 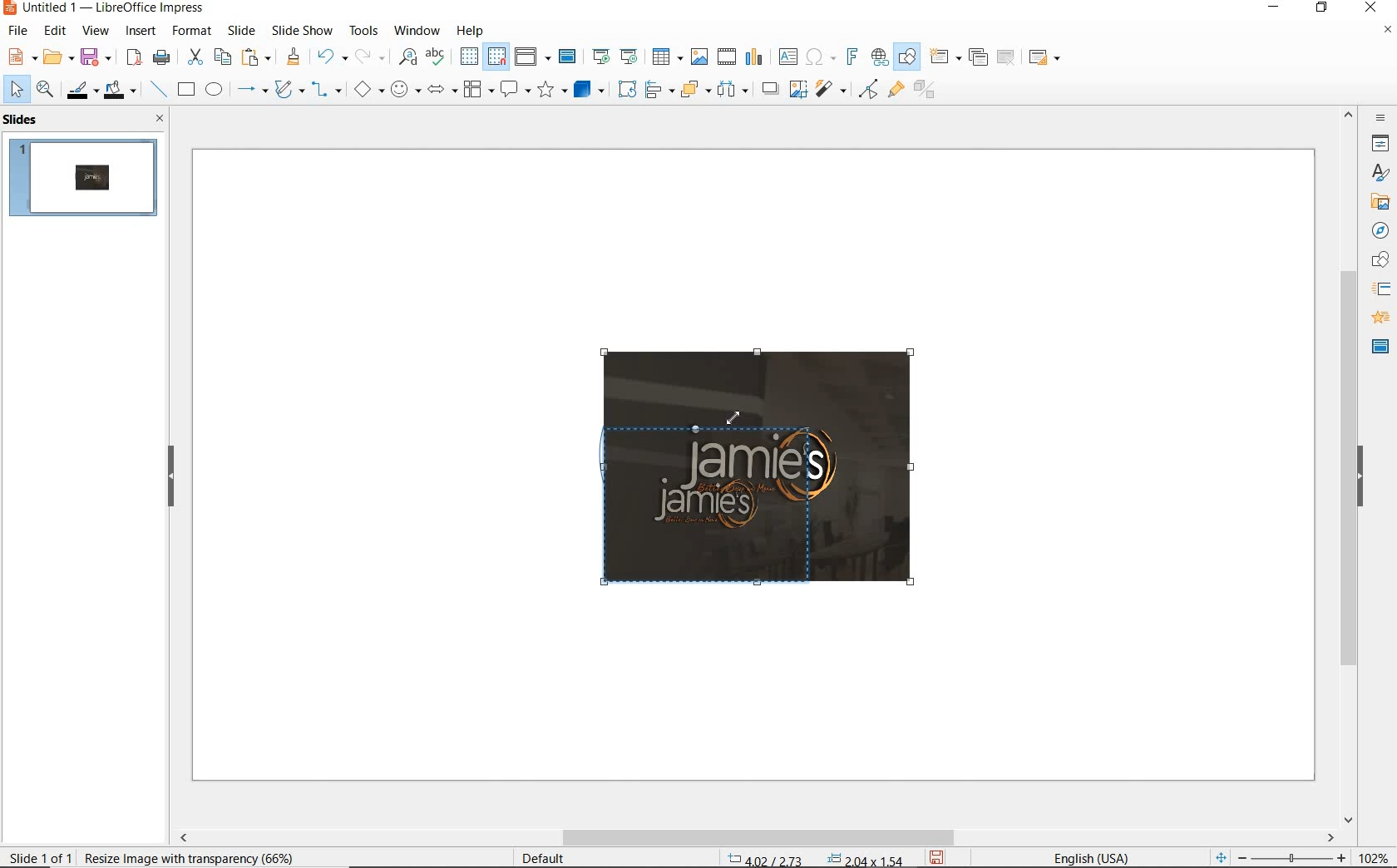 What do you see at coordinates (1378, 260) in the screenshot?
I see `shapes` at bounding box center [1378, 260].